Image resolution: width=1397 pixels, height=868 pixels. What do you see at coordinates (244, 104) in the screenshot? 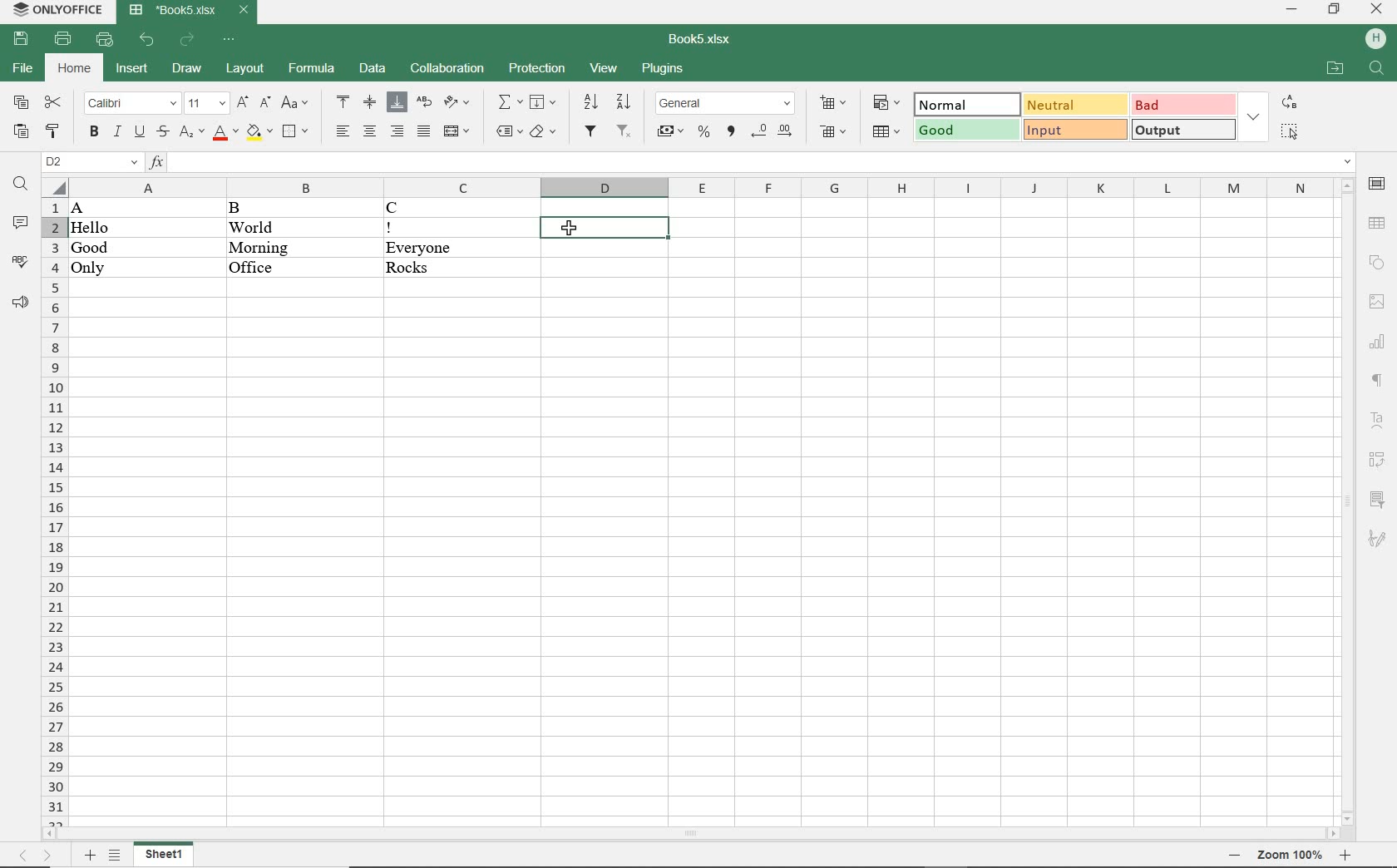
I see `INCREMENT FONT SIZE` at bounding box center [244, 104].